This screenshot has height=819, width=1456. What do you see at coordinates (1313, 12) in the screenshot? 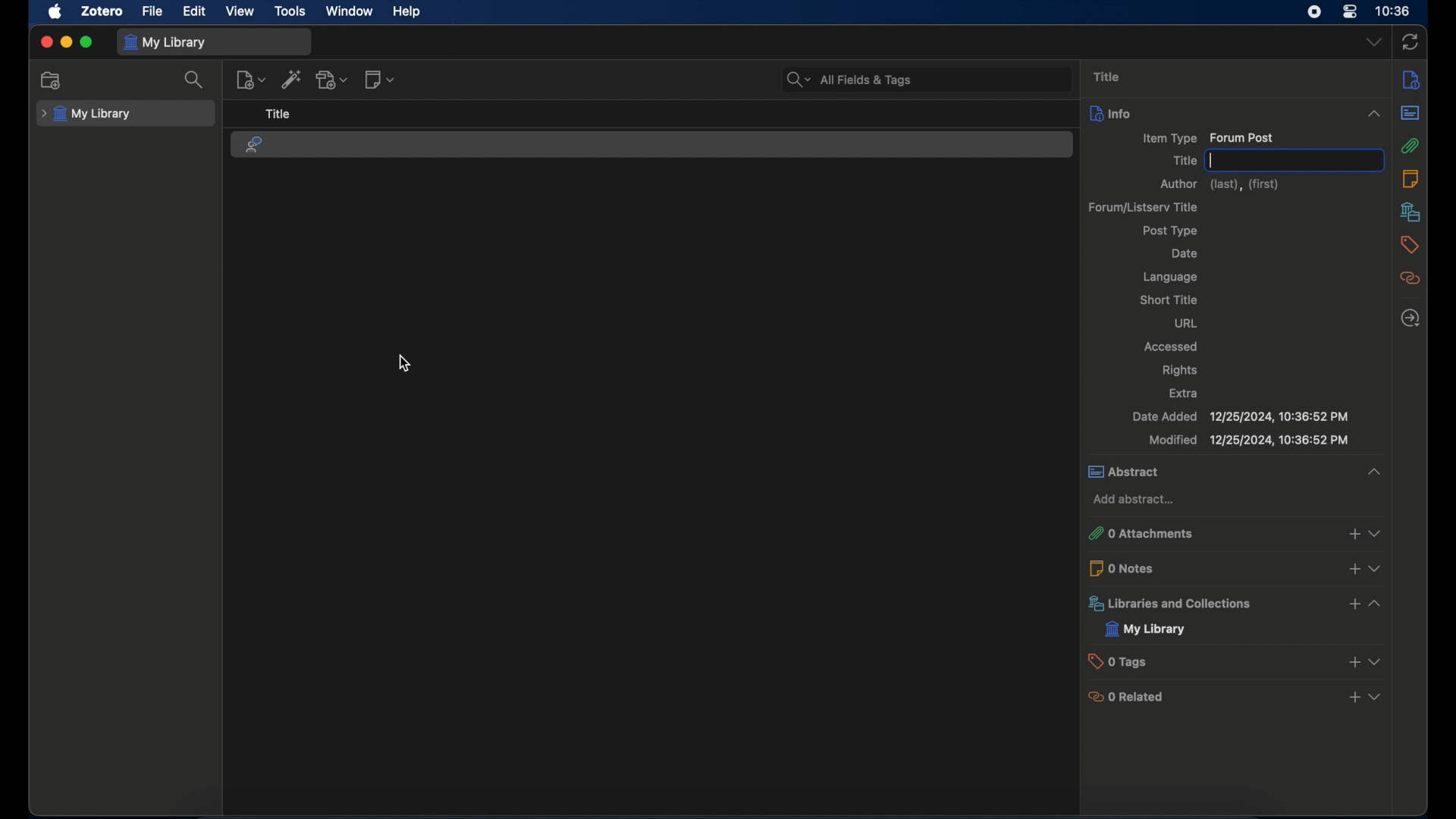
I see `screen recorder` at bounding box center [1313, 12].